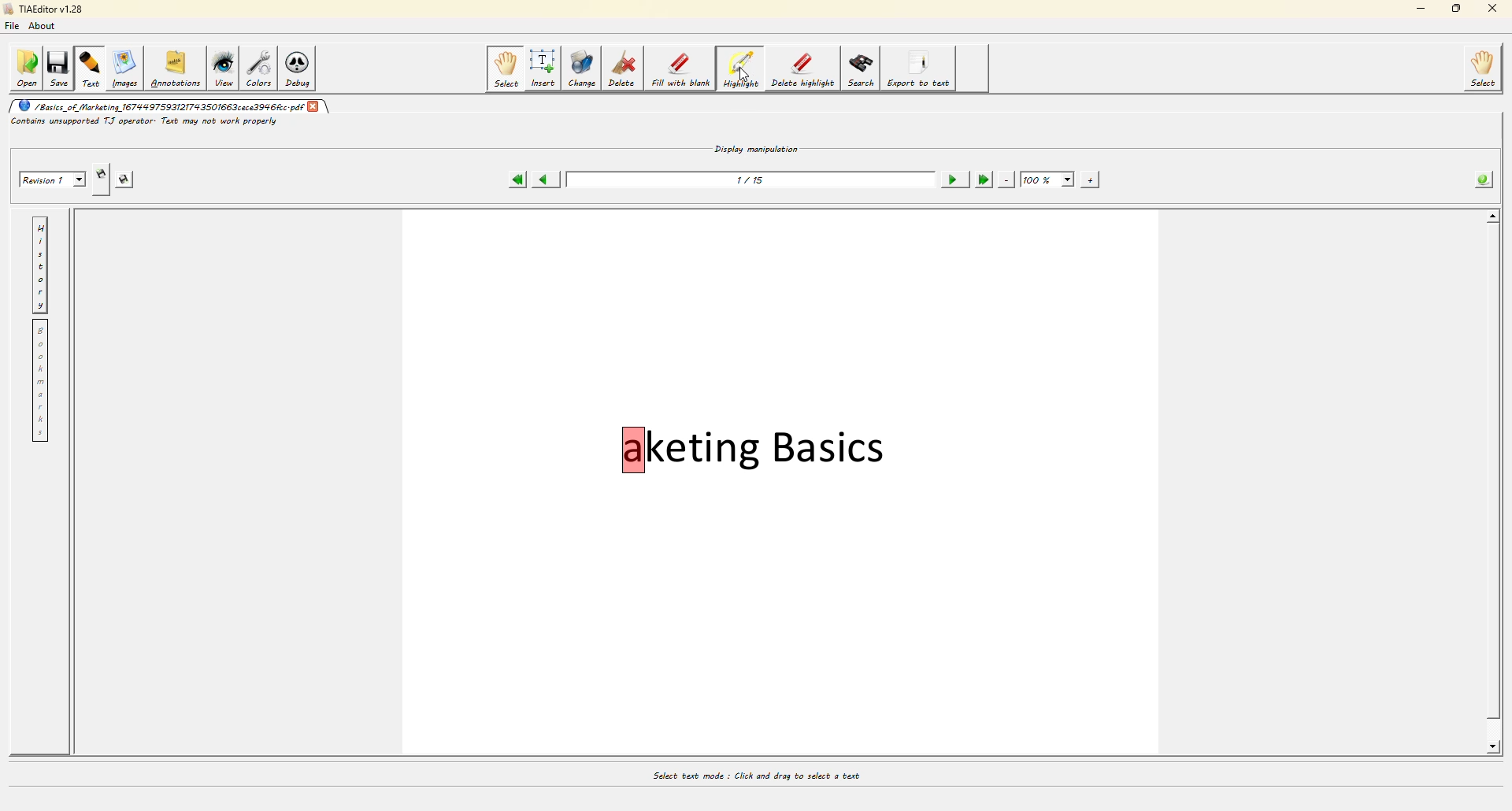 The width and height of the screenshot is (1512, 811). What do you see at coordinates (1493, 9) in the screenshot?
I see `close` at bounding box center [1493, 9].